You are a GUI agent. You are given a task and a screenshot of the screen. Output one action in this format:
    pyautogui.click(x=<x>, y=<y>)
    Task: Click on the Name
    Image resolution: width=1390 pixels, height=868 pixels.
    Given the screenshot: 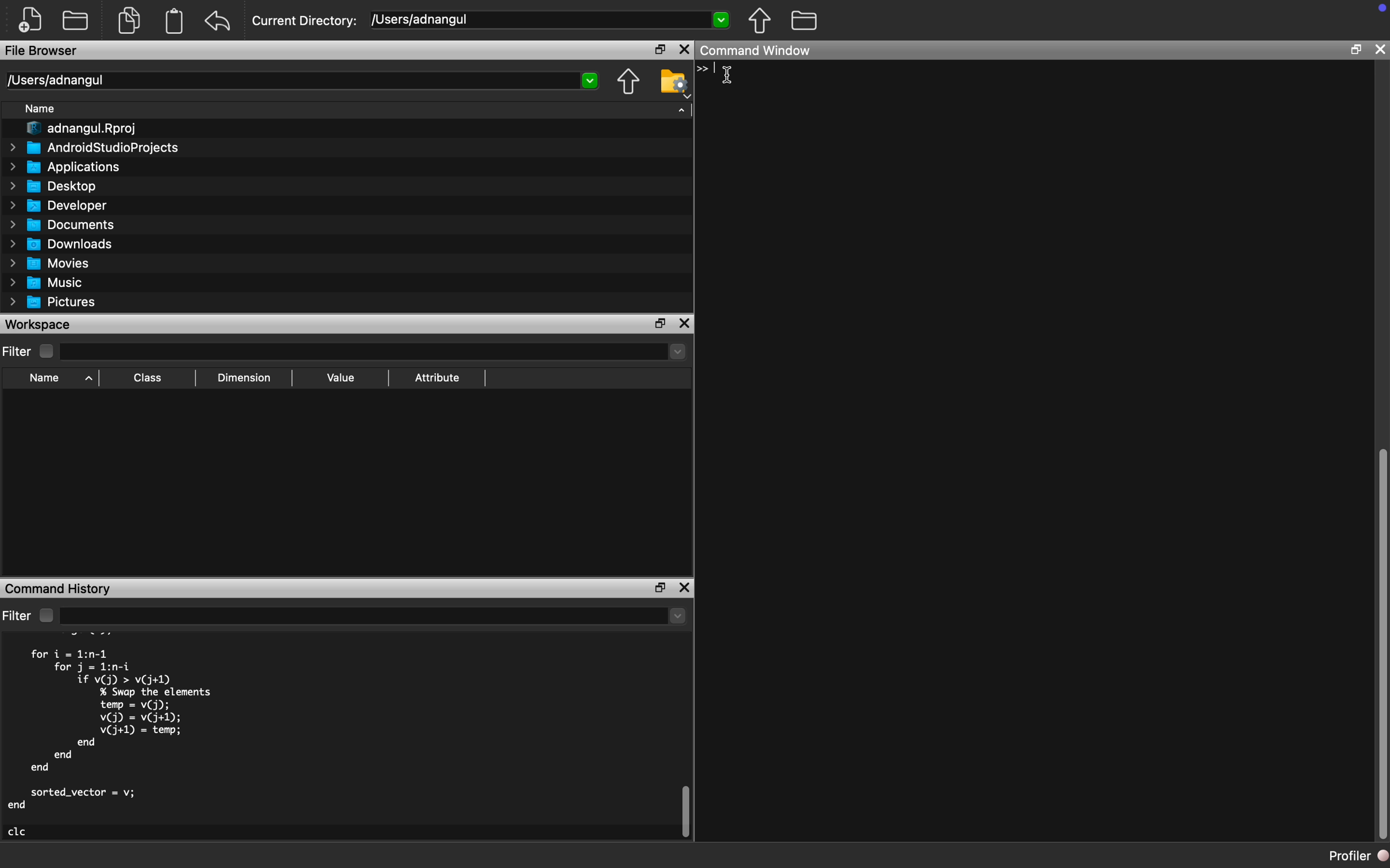 What is the action you would take?
    pyautogui.click(x=39, y=109)
    